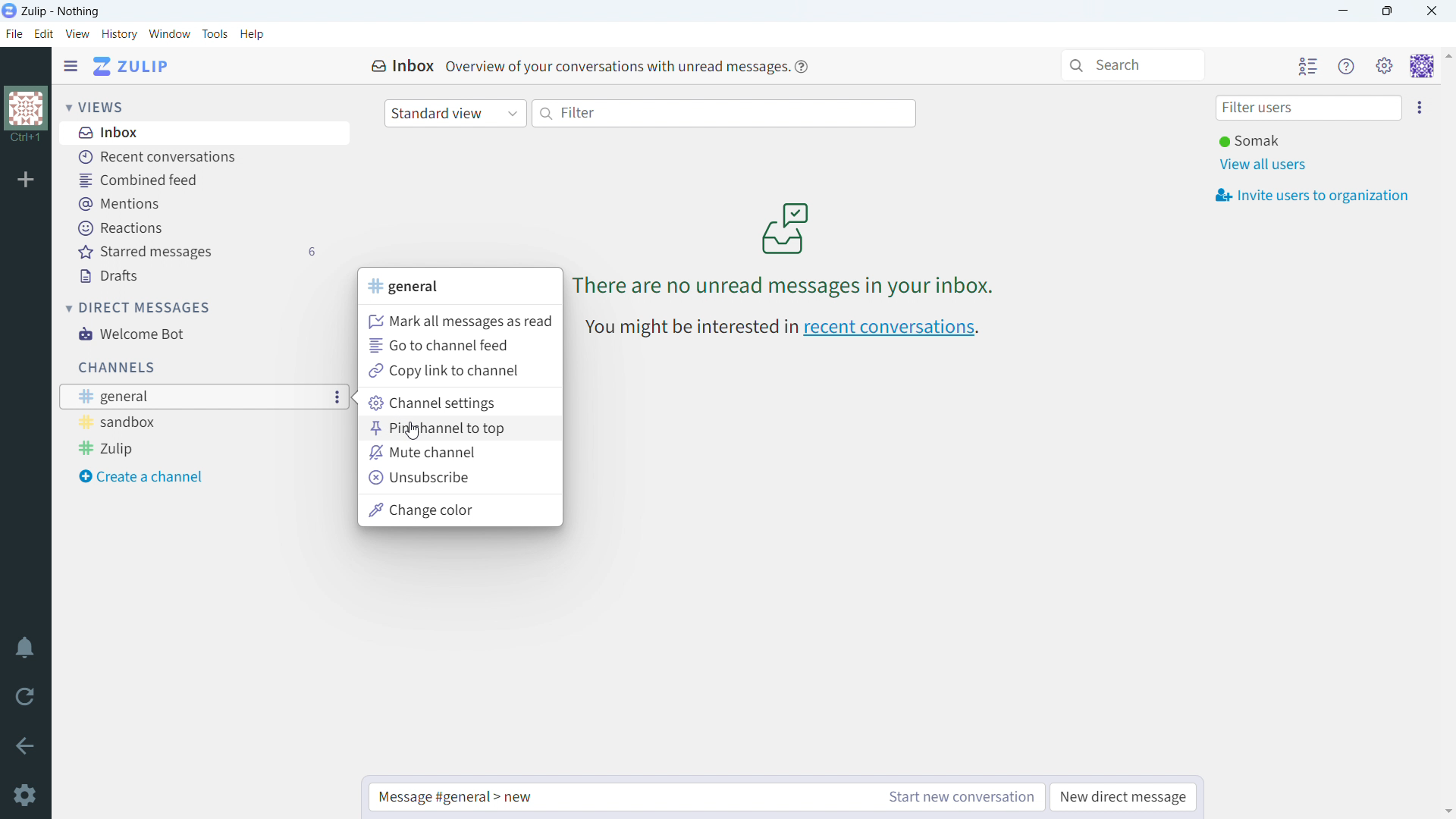  Describe the element at coordinates (1262, 165) in the screenshot. I see `view all users` at that location.